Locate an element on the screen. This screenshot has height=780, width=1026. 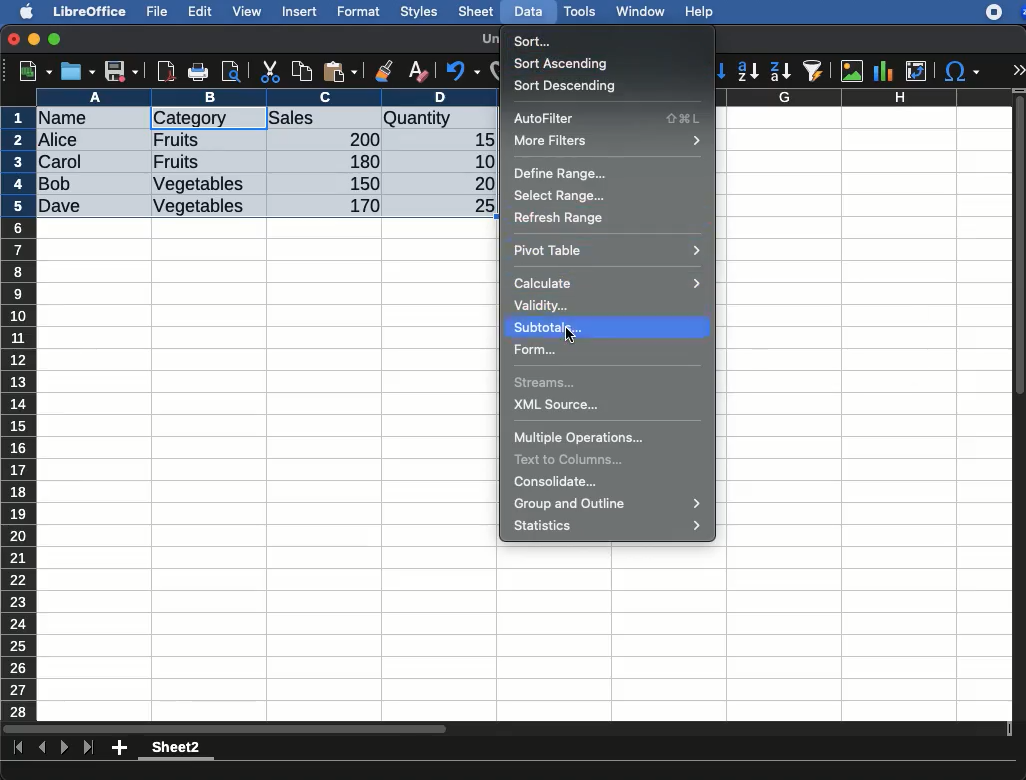
print preview is located at coordinates (231, 73).